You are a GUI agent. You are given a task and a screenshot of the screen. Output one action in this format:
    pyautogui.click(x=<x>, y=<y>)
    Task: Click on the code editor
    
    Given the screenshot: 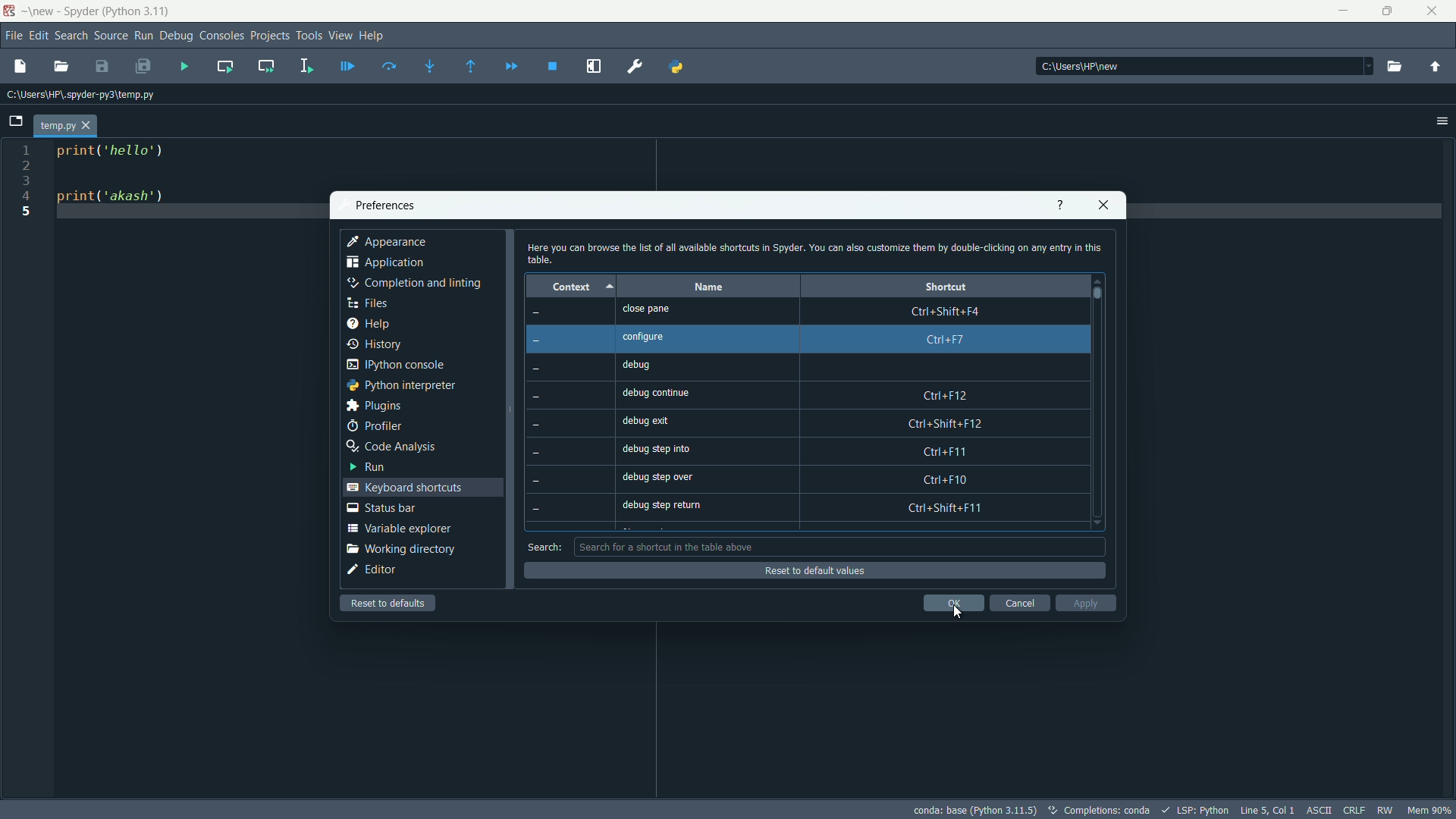 What is the action you would take?
    pyautogui.click(x=111, y=177)
    